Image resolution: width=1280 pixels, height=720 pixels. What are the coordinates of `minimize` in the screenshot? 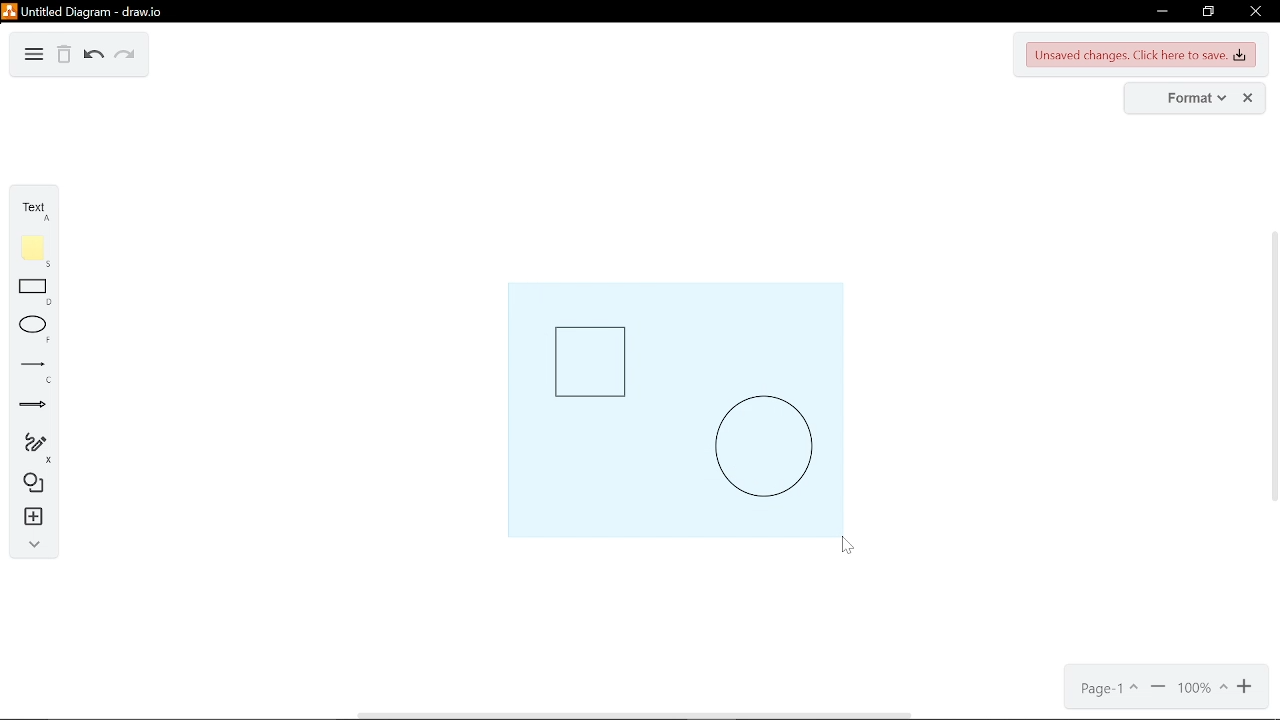 It's located at (1161, 13).